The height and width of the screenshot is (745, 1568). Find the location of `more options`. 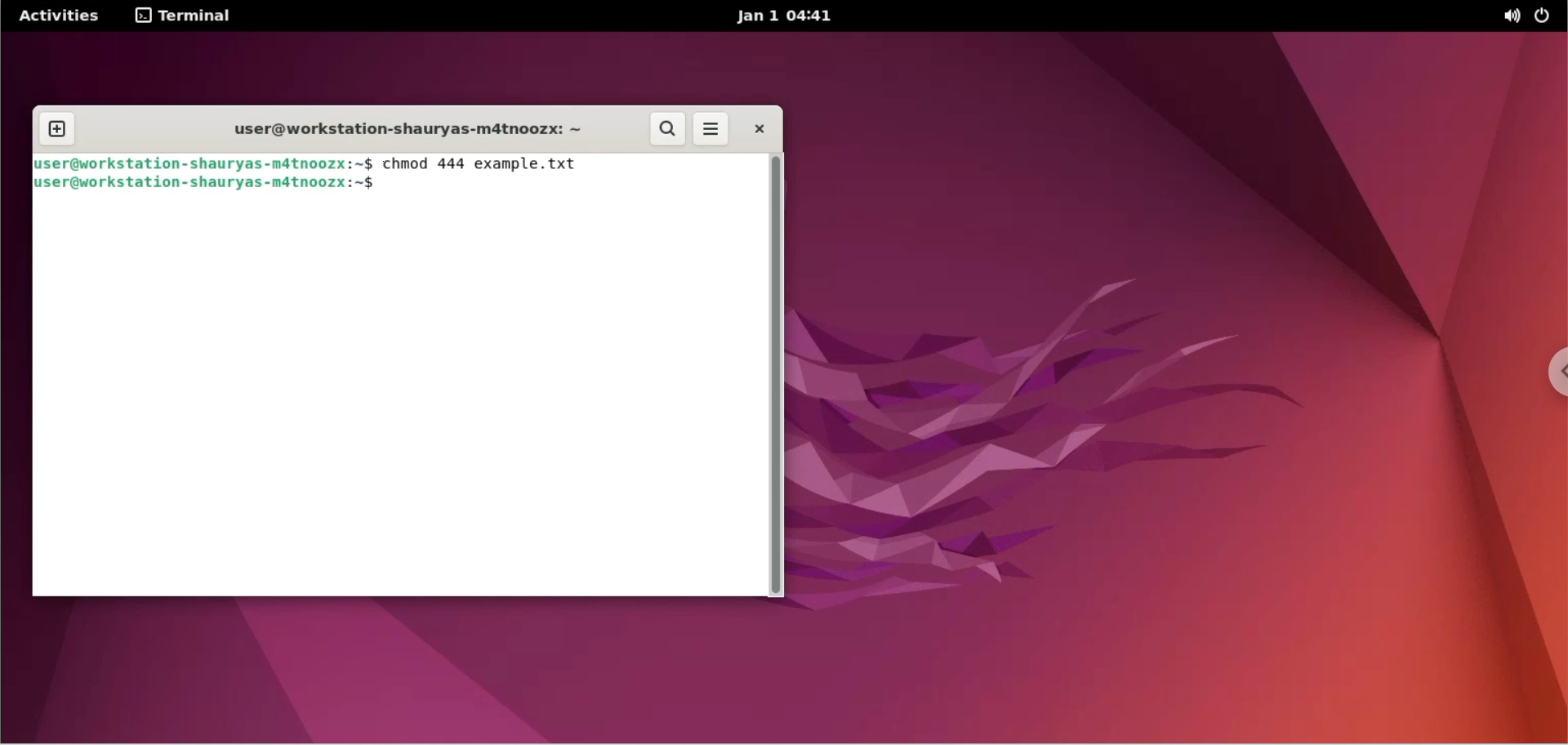

more options is located at coordinates (714, 129).